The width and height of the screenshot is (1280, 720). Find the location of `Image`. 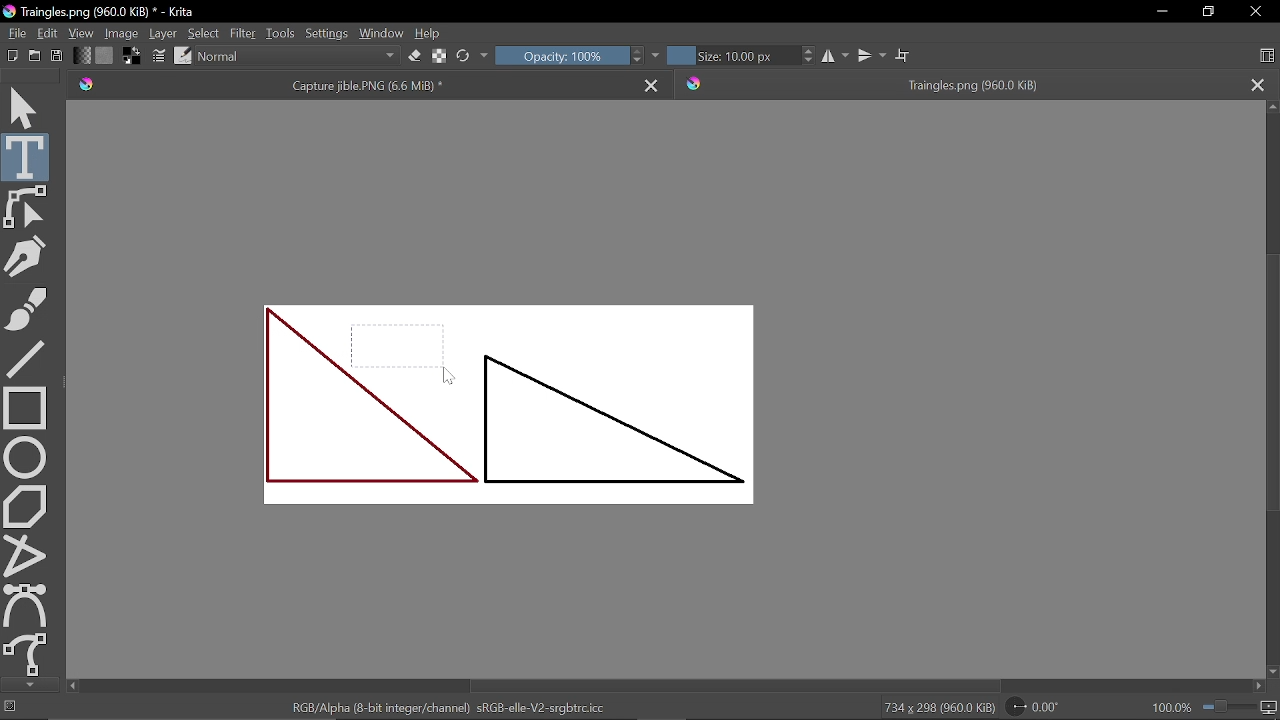

Image is located at coordinates (120, 34).